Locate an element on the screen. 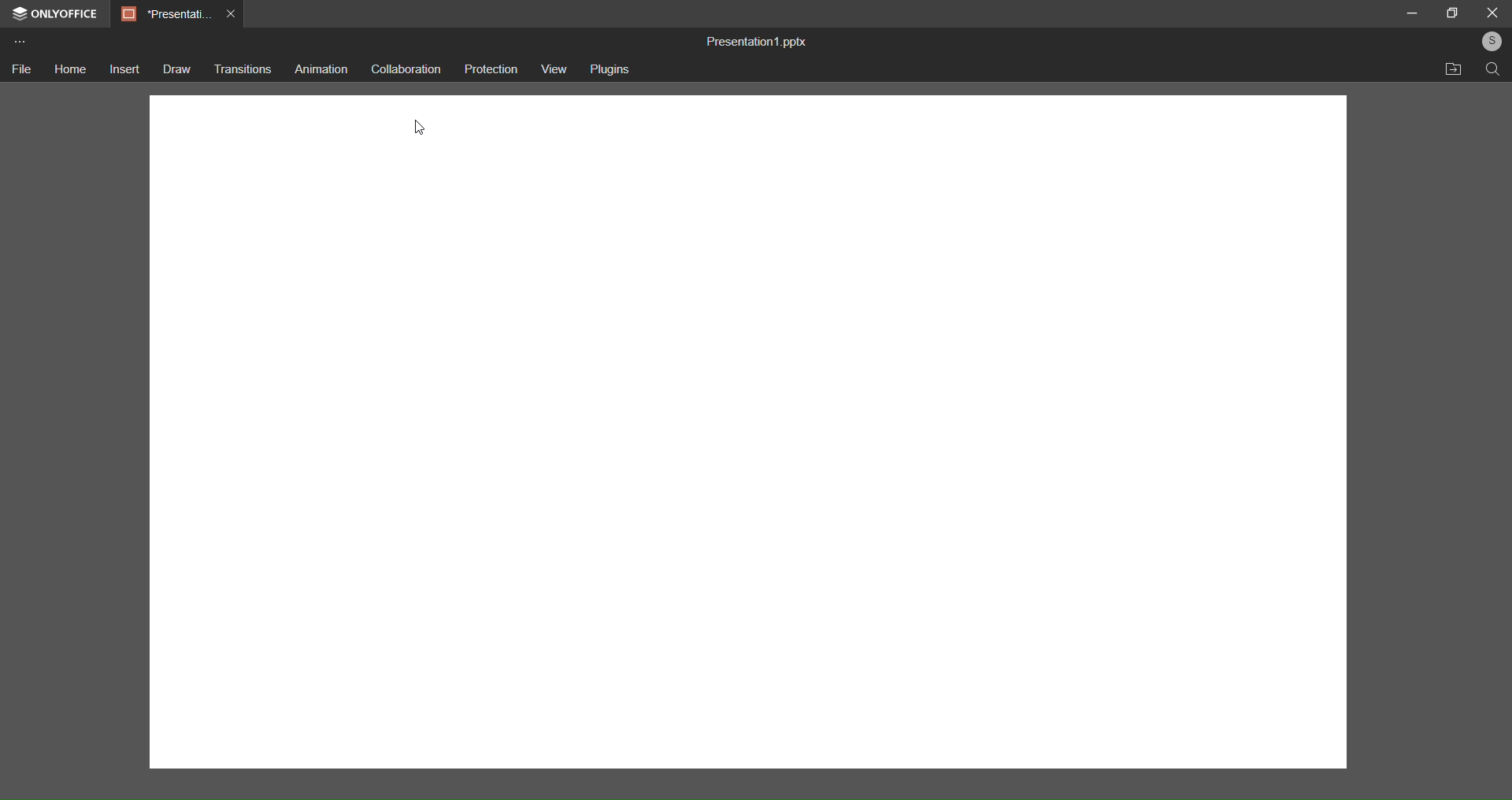  close is located at coordinates (1492, 13).